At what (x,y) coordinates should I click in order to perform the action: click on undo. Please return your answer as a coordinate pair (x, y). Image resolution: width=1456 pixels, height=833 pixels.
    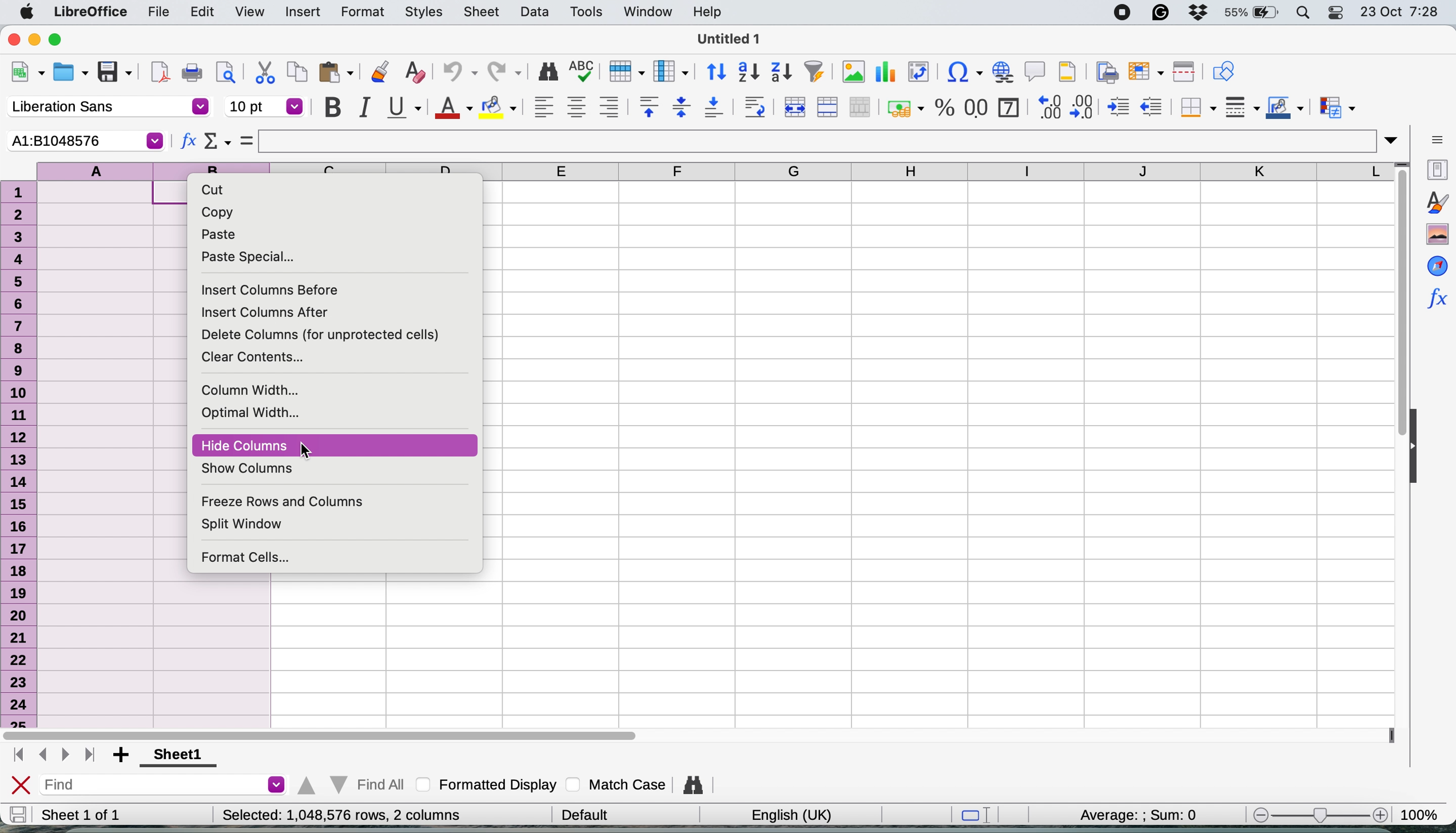
    Looking at the image, I should click on (459, 73).